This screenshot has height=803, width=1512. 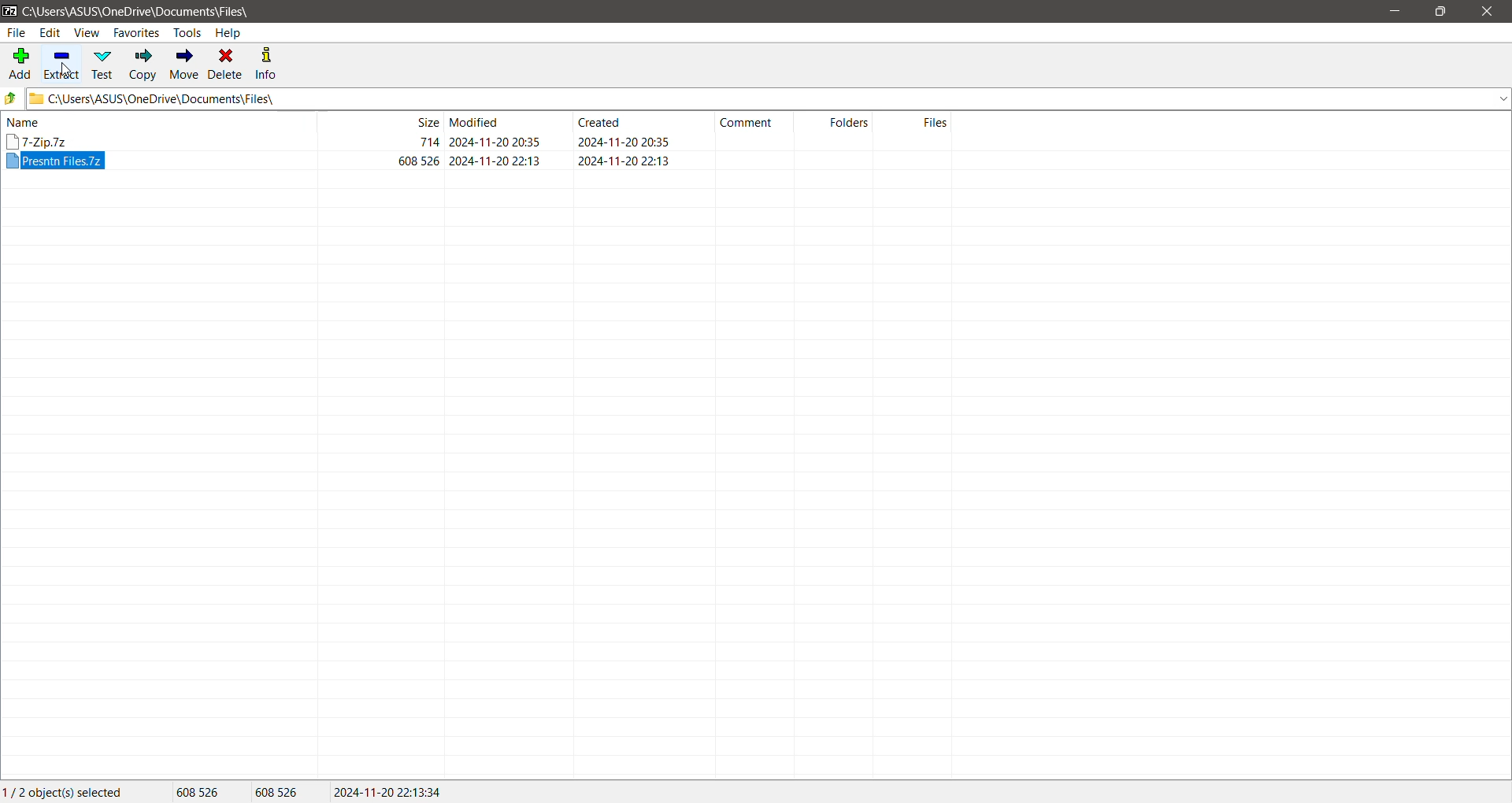 What do you see at coordinates (476, 121) in the screenshot?
I see `modified` at bounding box center [476, 121].